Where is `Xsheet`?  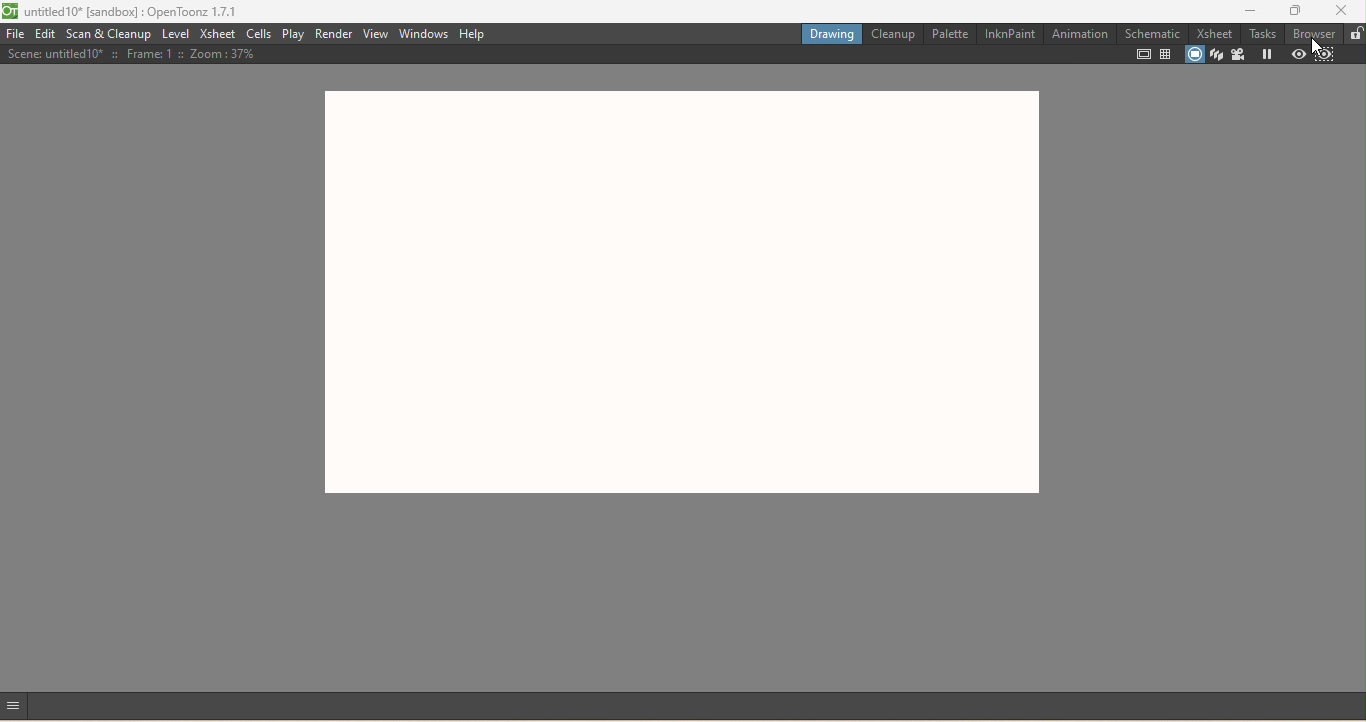
Xsheet is located at coordinates (1216, 34).